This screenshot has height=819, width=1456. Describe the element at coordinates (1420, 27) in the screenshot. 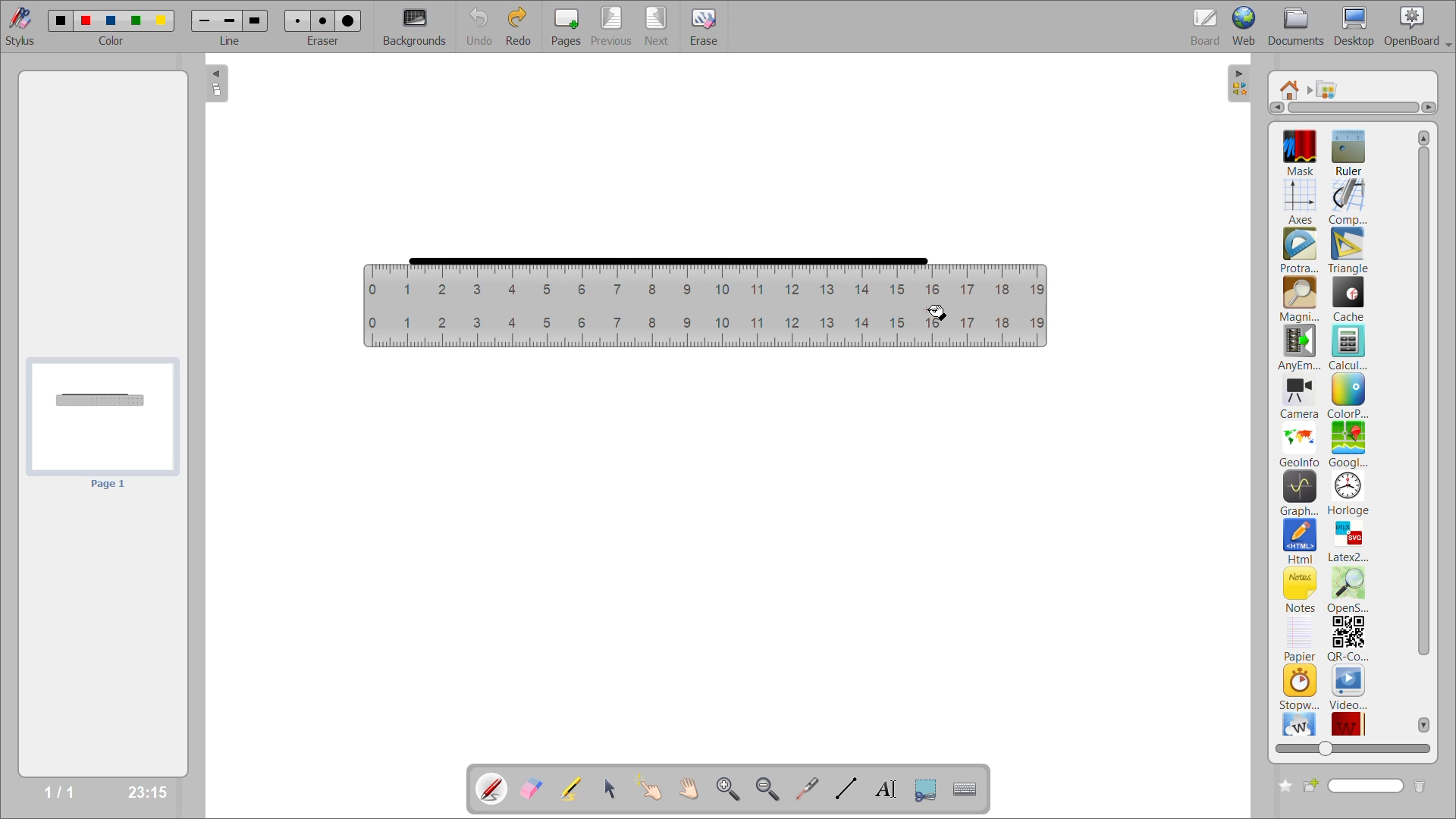

I see `openboard` at that location.